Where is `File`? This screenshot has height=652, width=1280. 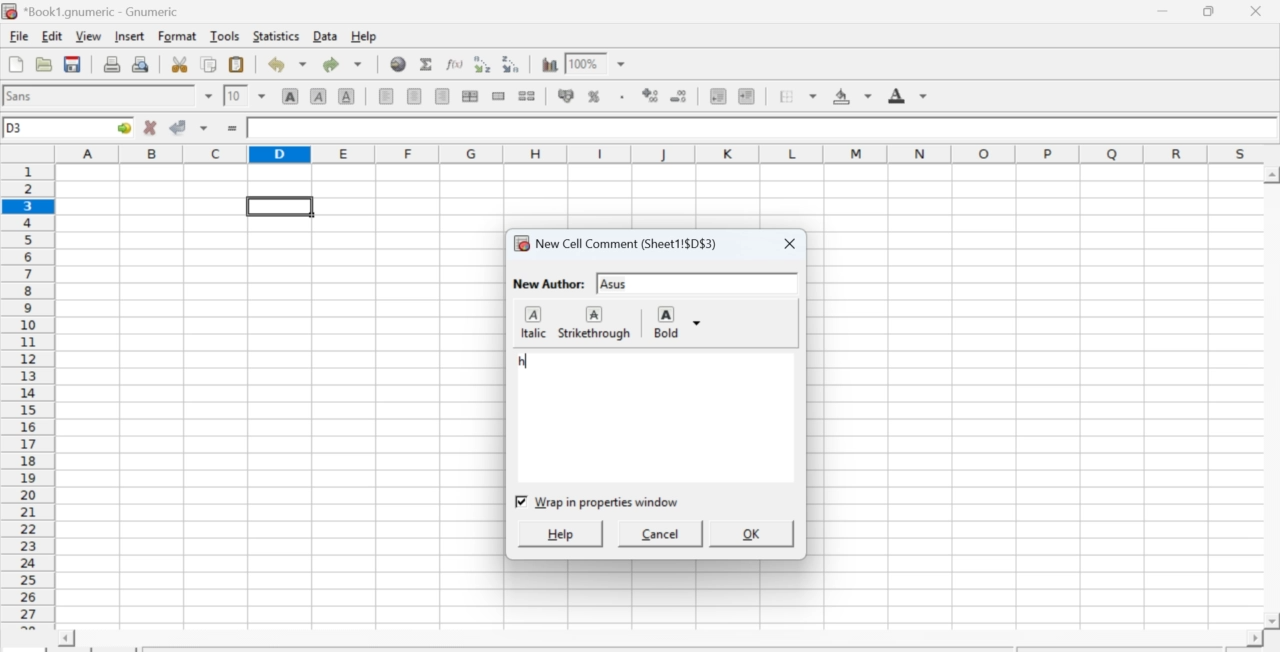 File is located at coordinates (18, 37).